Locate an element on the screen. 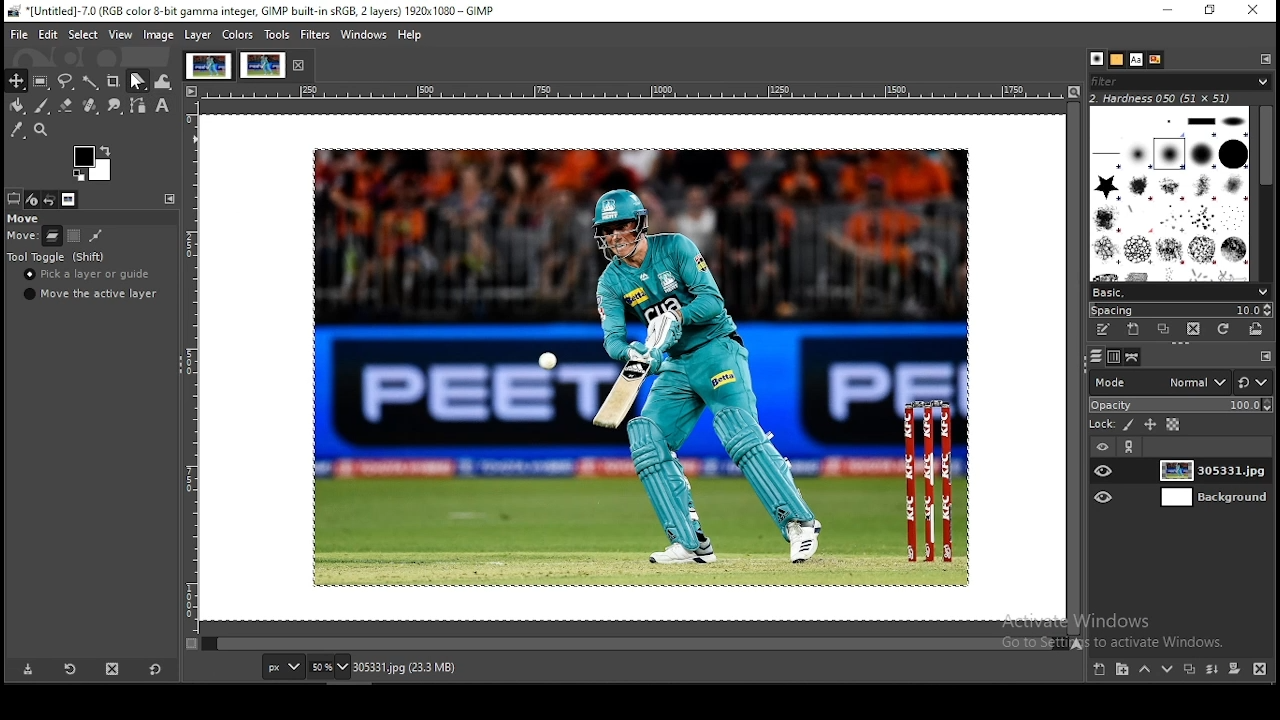  horizontal scale is located at coordinates (632, 93).